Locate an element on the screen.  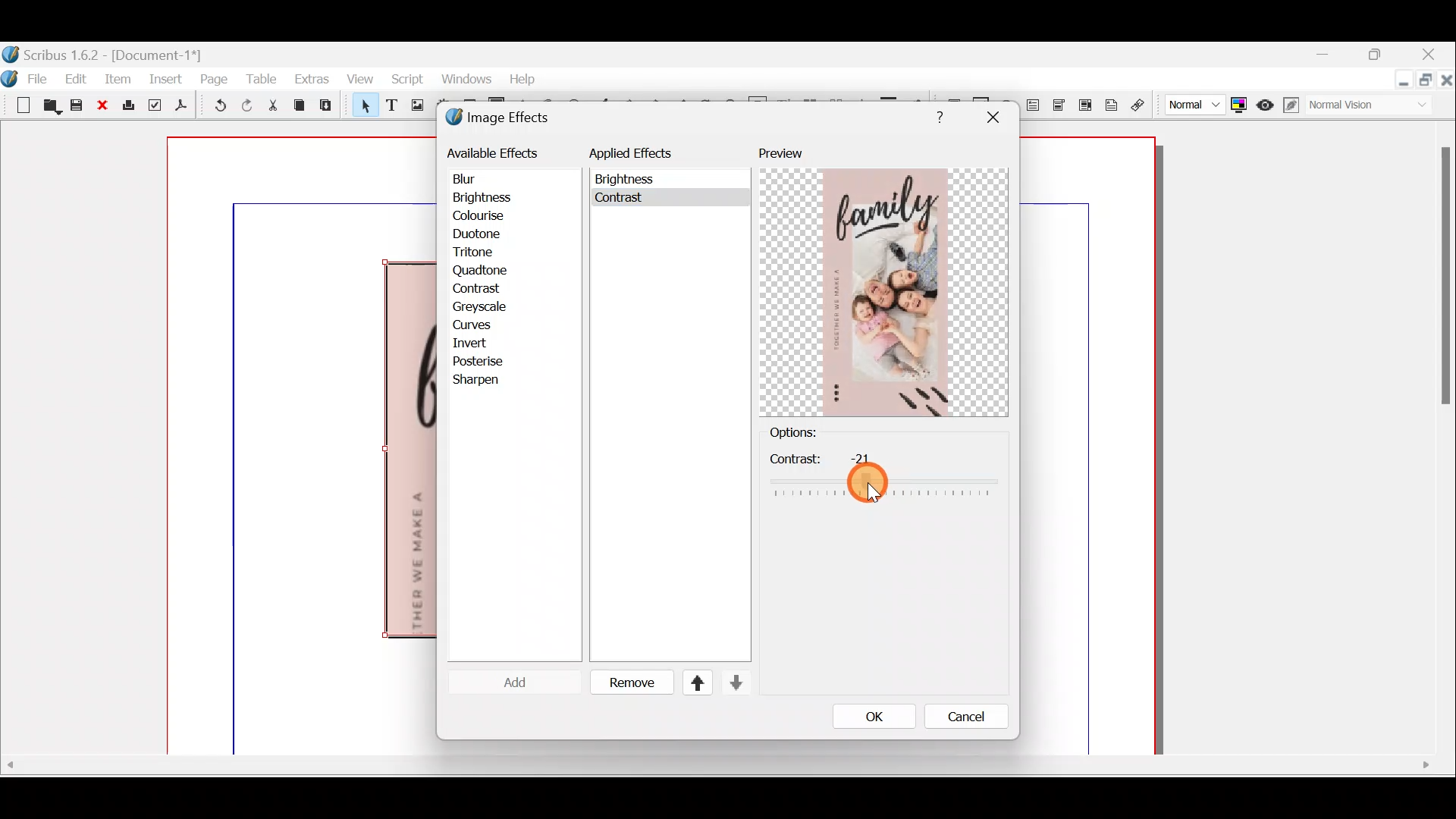
Colourise is located at coordinates (486, 217).